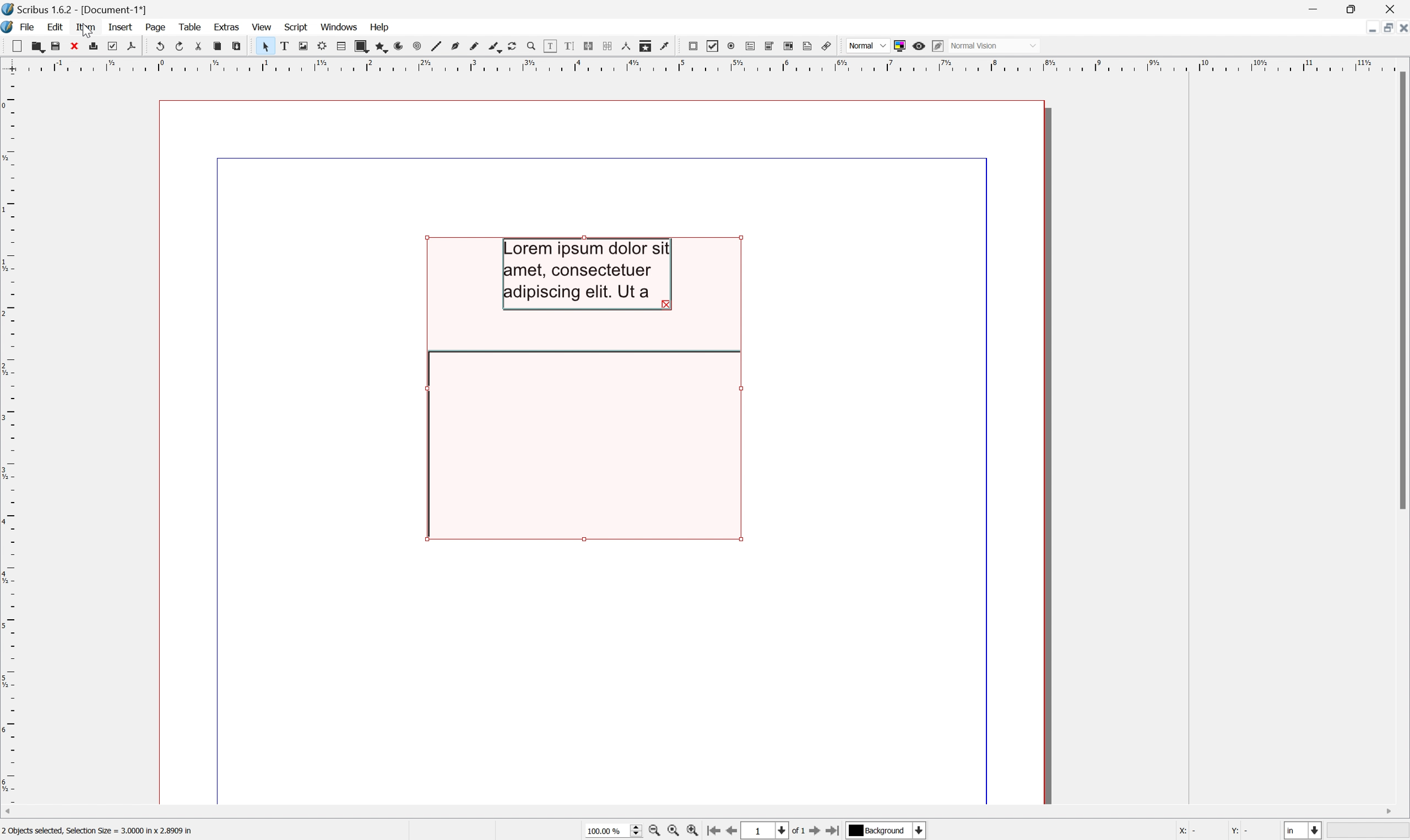 Image resolution: width=1410 pixels, height=840 pixels. What do you see at coordinates (237, 46) in the screenshot?
I see `Paste` at bounding box center [237, 46].